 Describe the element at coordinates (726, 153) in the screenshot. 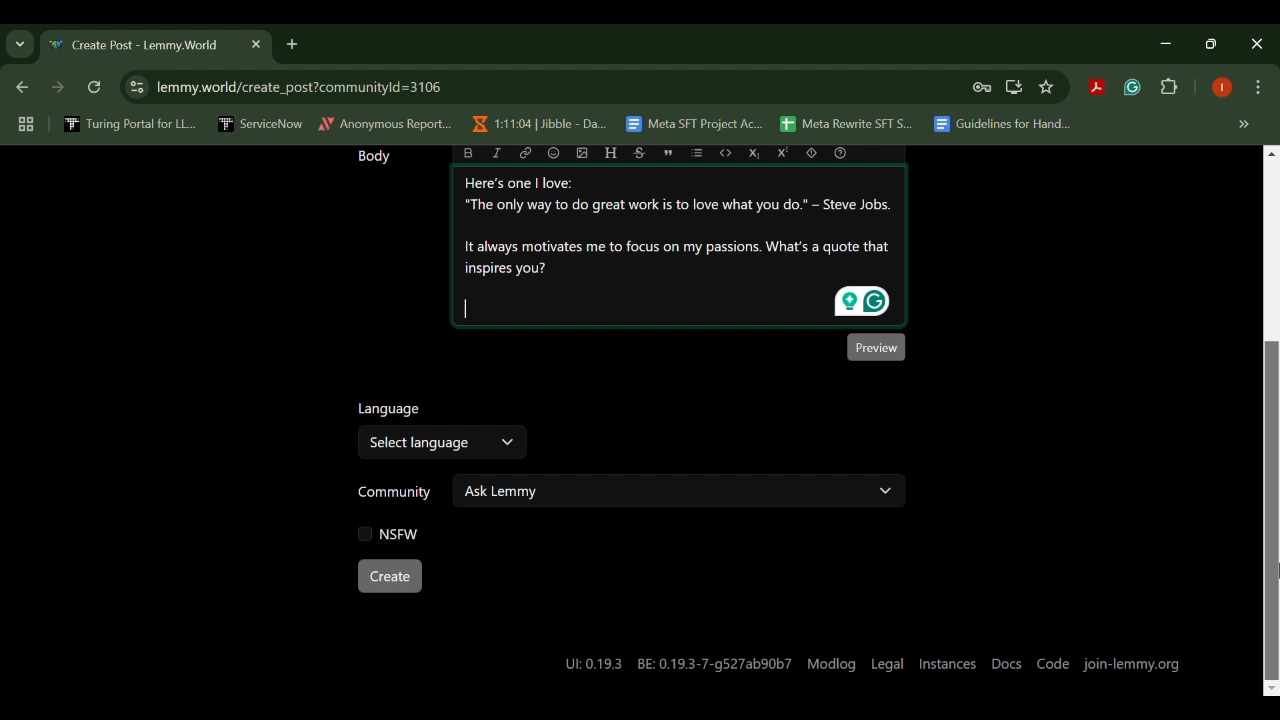

I see `code ` at that location.